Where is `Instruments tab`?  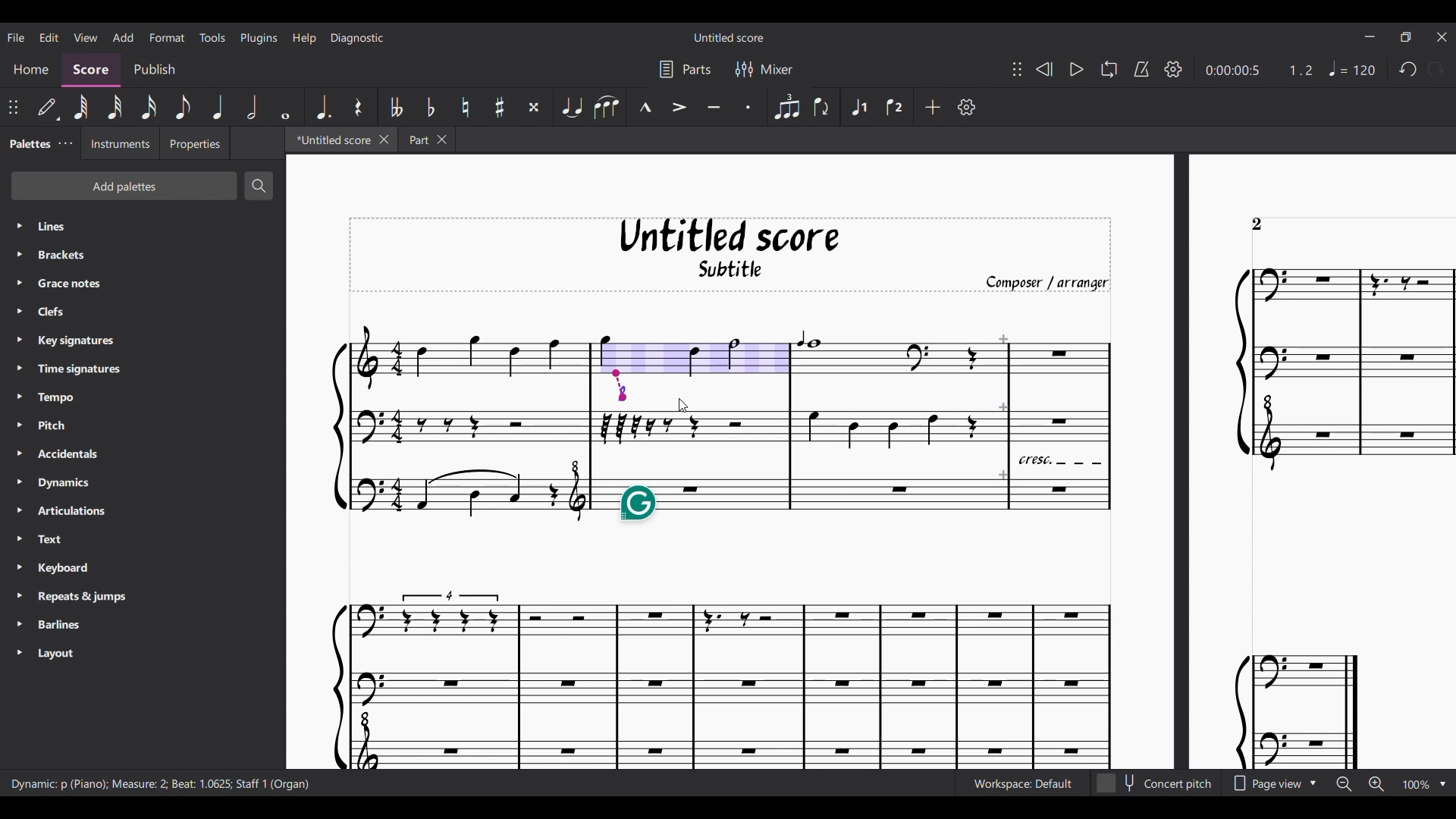
Instruments tab is located at coordinates (121, 143).